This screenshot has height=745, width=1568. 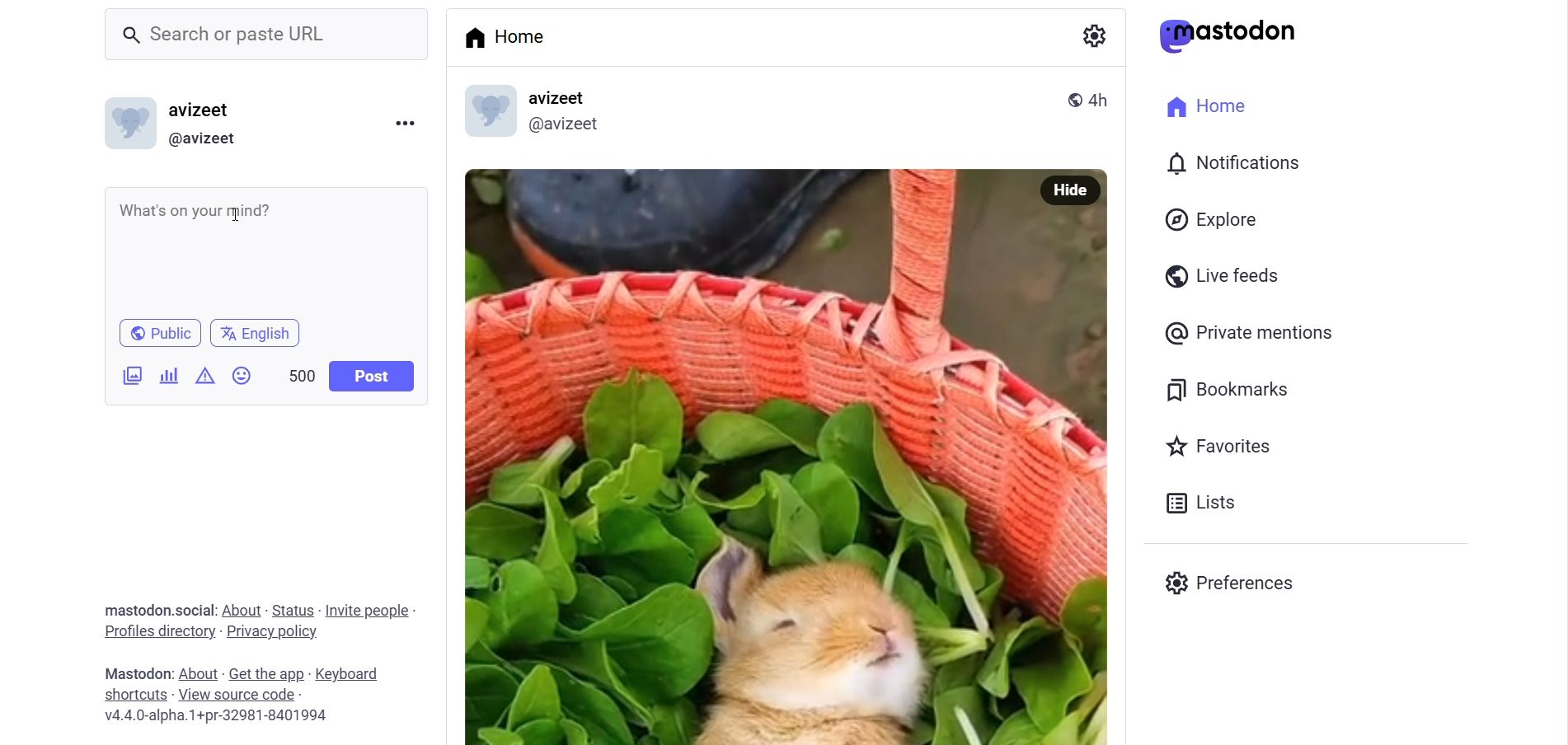 I want to click on Image Poted, so click(x=749, y=457).